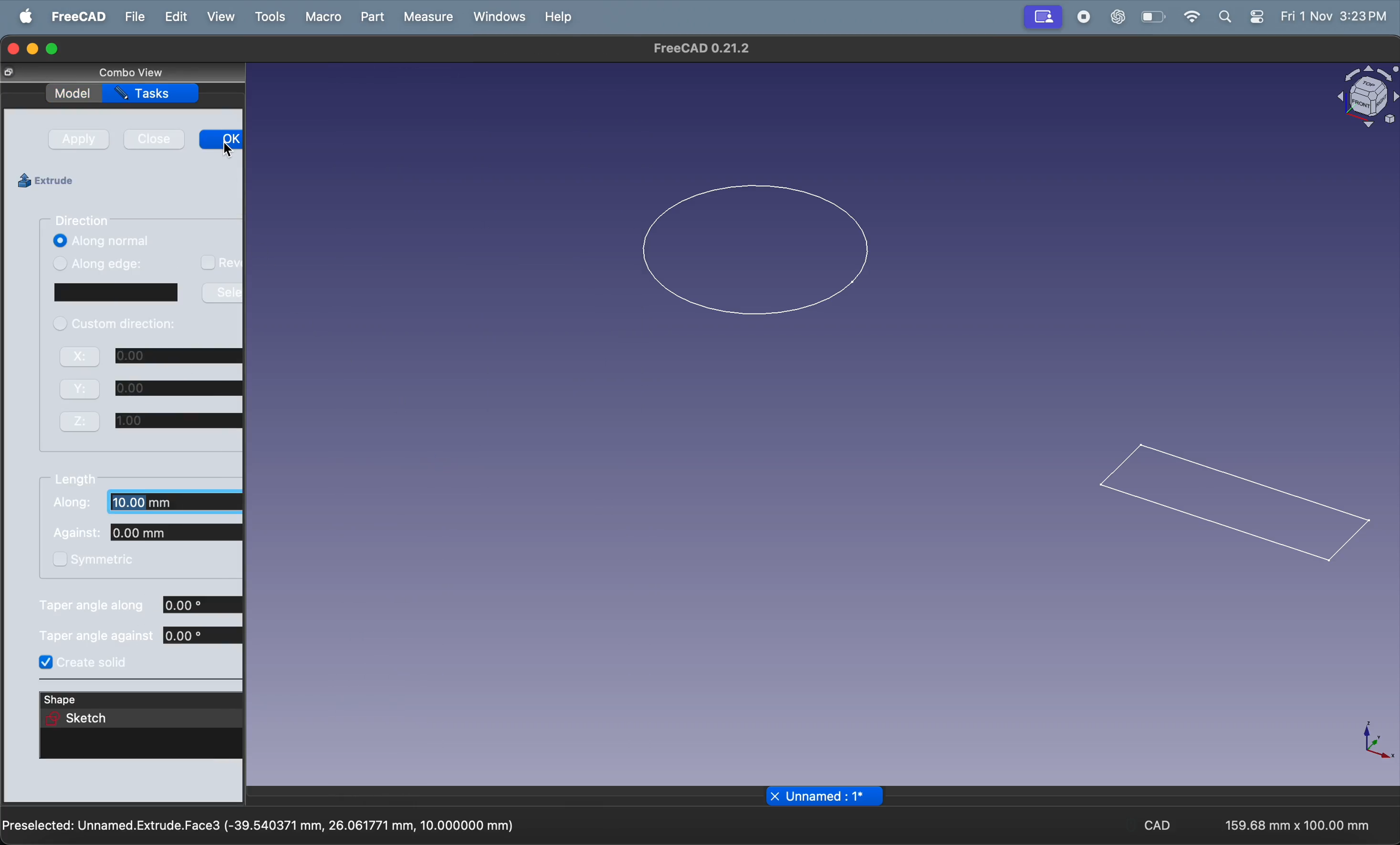  Describe the element at coordinates (1258, 17) in the screenshot. I see `settings` at that location.